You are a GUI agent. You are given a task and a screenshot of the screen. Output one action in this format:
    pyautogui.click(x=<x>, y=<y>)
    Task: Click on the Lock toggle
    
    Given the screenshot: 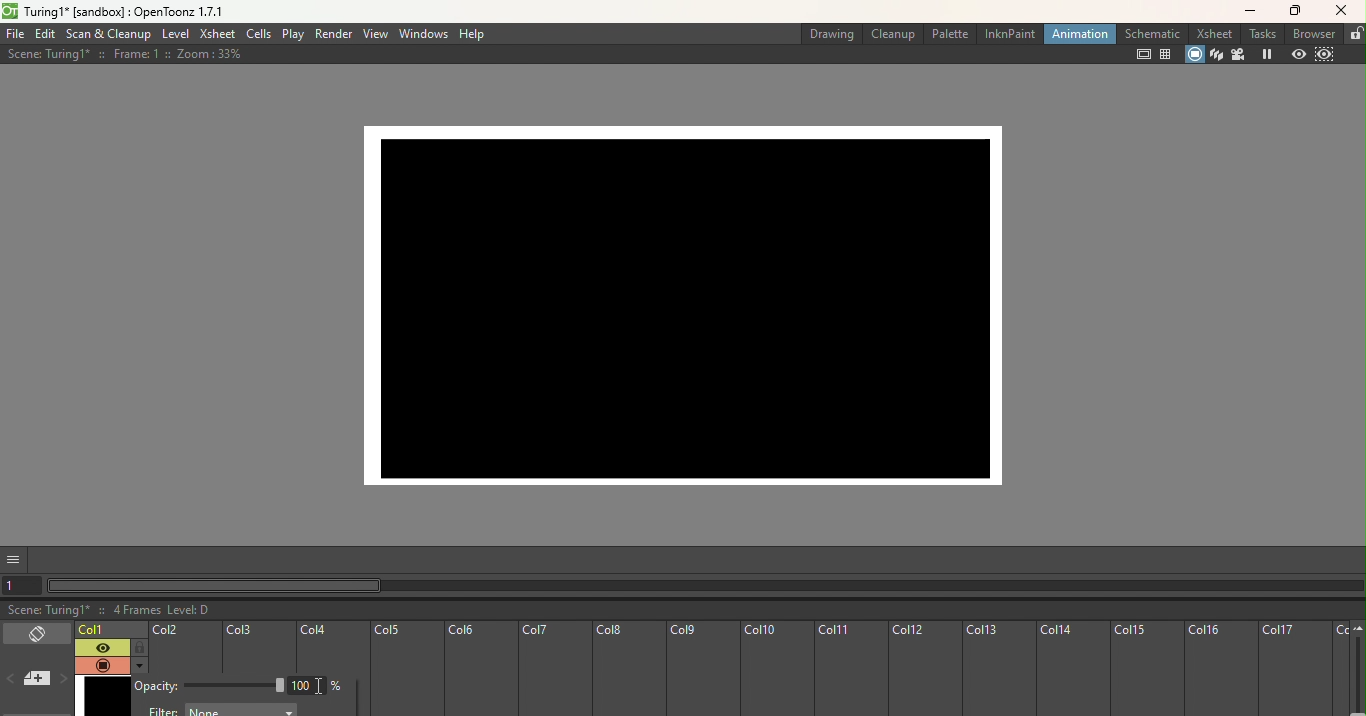 What is the action you would take?
    pyautogui.click(x=137, y=647)
    